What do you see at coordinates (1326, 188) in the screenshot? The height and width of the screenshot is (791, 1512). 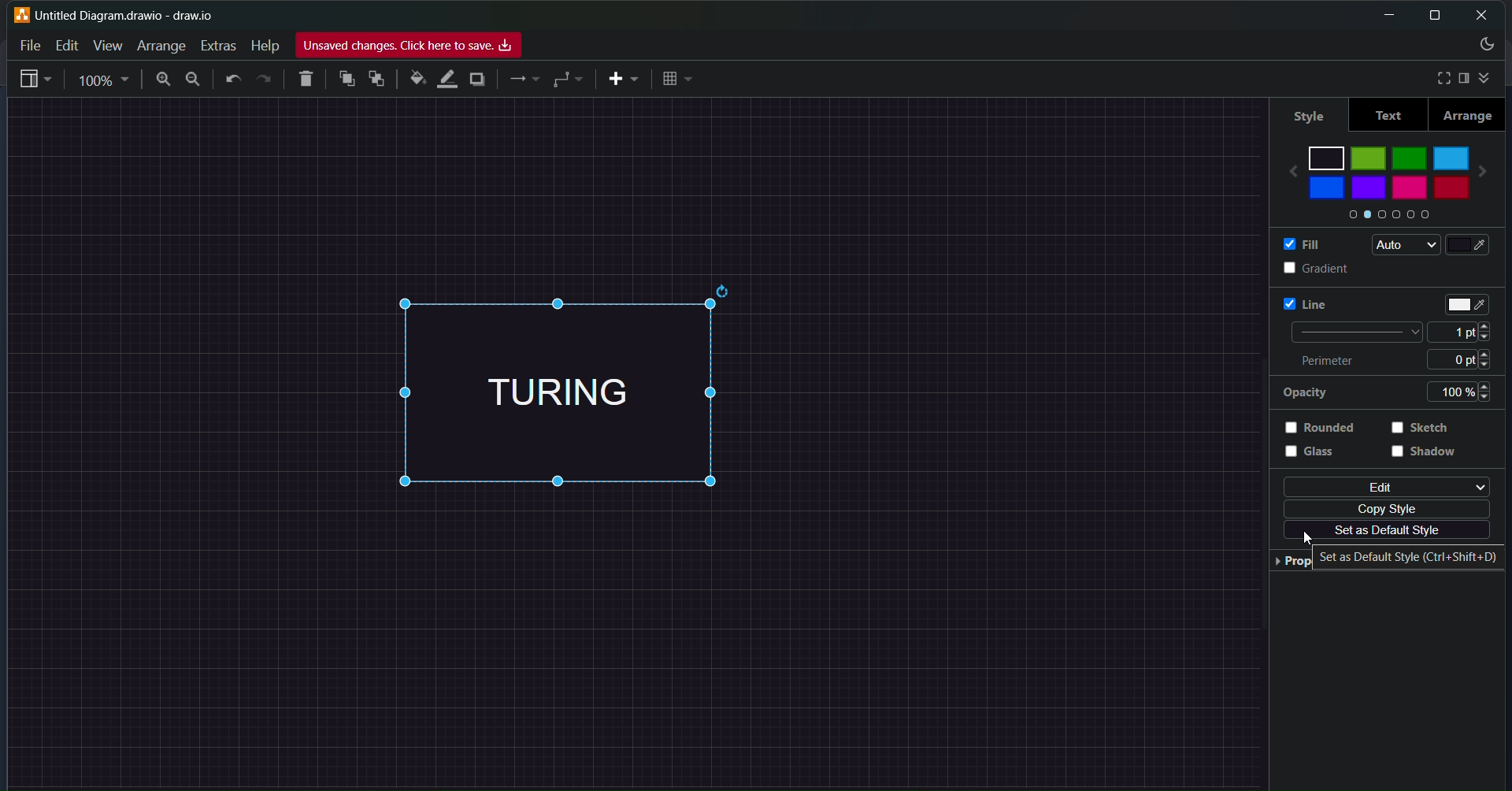 I see `blue` at bounding box center [1326, 188].